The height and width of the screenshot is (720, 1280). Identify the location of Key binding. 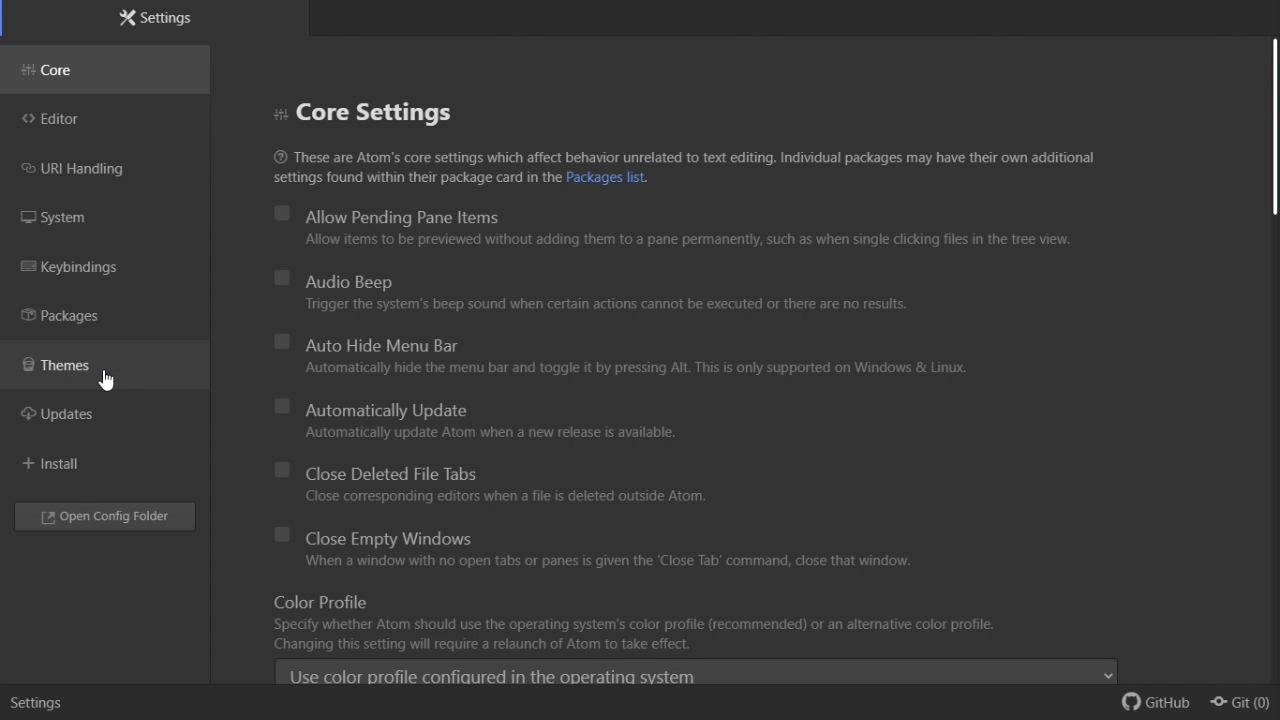
(87, 269).